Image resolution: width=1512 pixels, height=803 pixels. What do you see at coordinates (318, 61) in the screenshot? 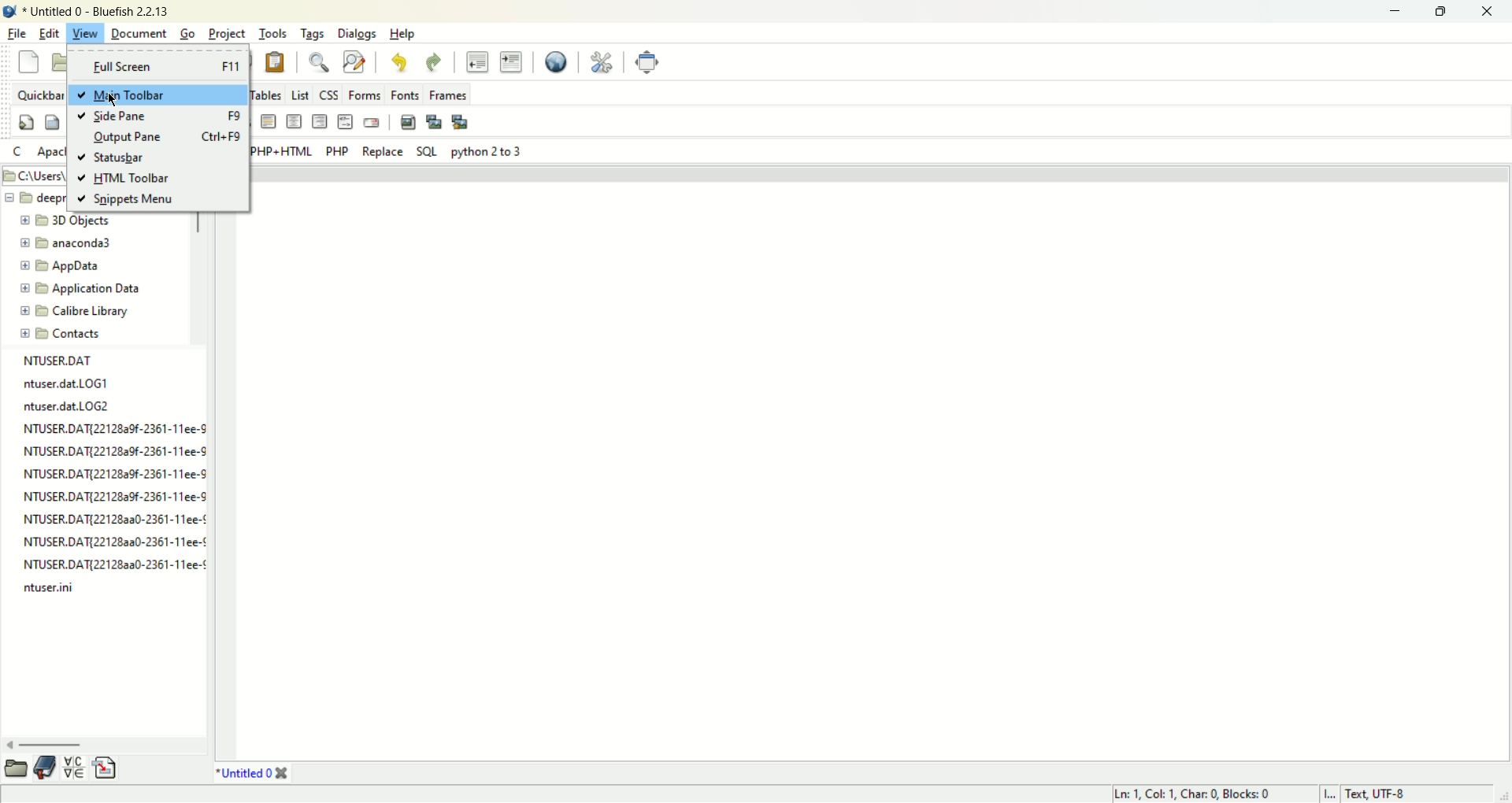
I see `find bar` at bounding box center [318, 61].